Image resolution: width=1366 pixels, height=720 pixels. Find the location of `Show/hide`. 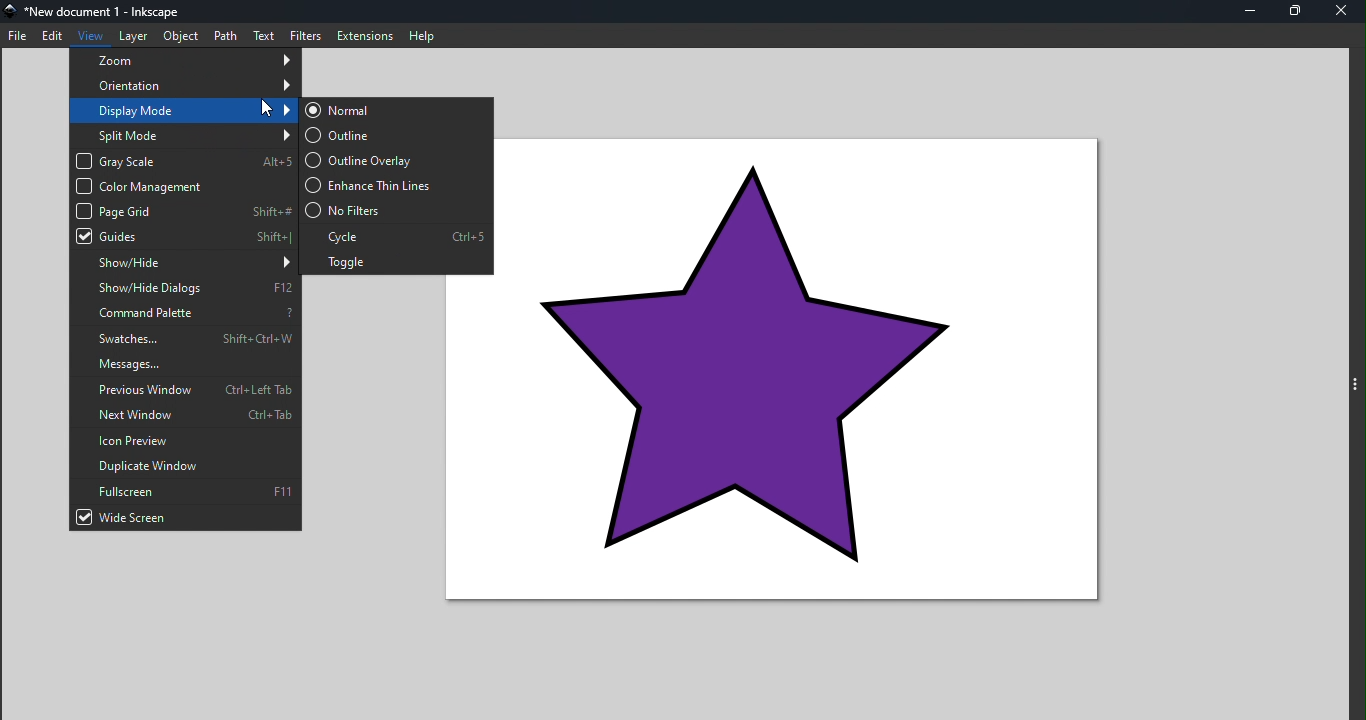

Show/hide is located at coordinates (183, 263).